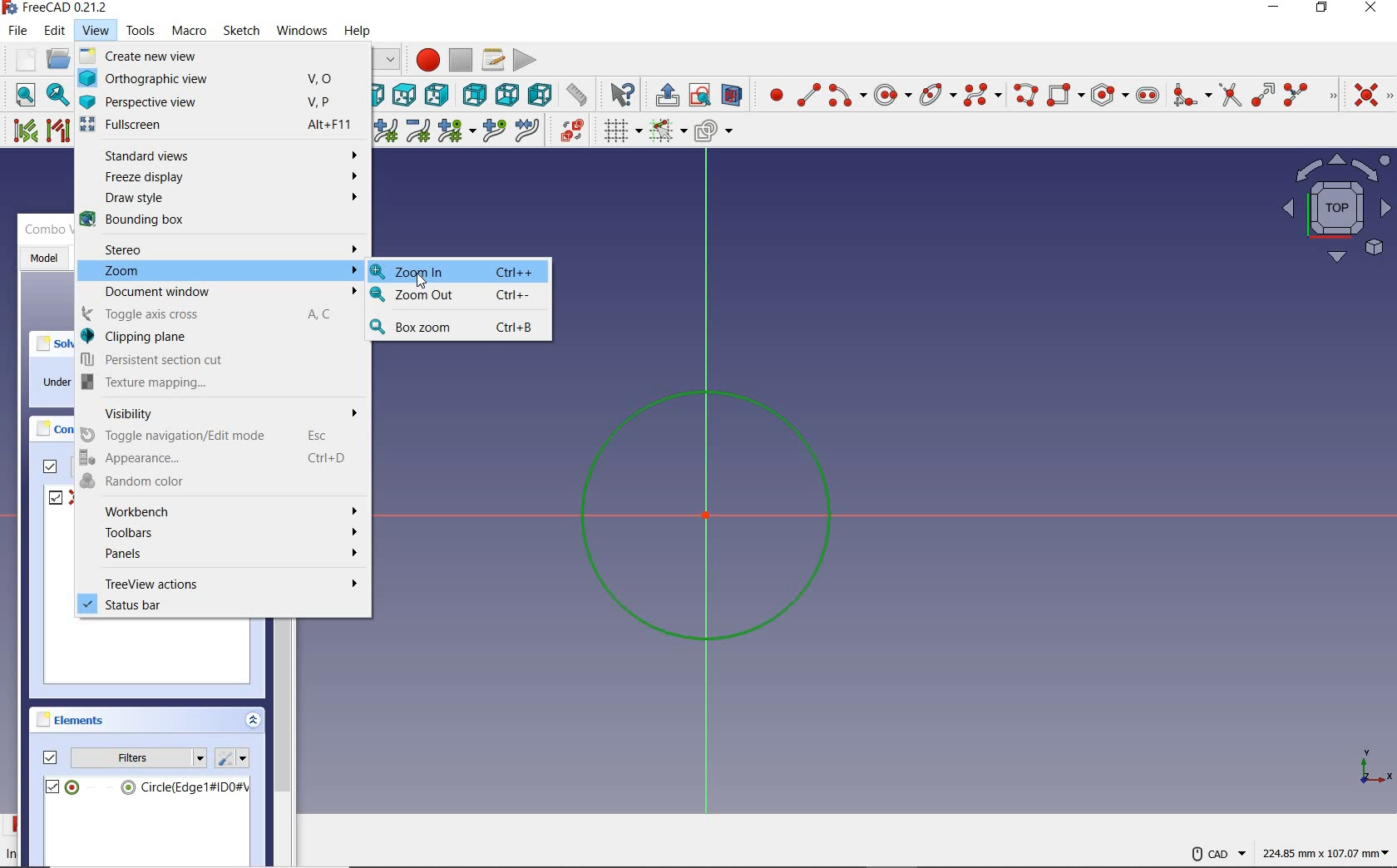 The image size is (1397, 868). I want to click on Panels , so click(222, 555).